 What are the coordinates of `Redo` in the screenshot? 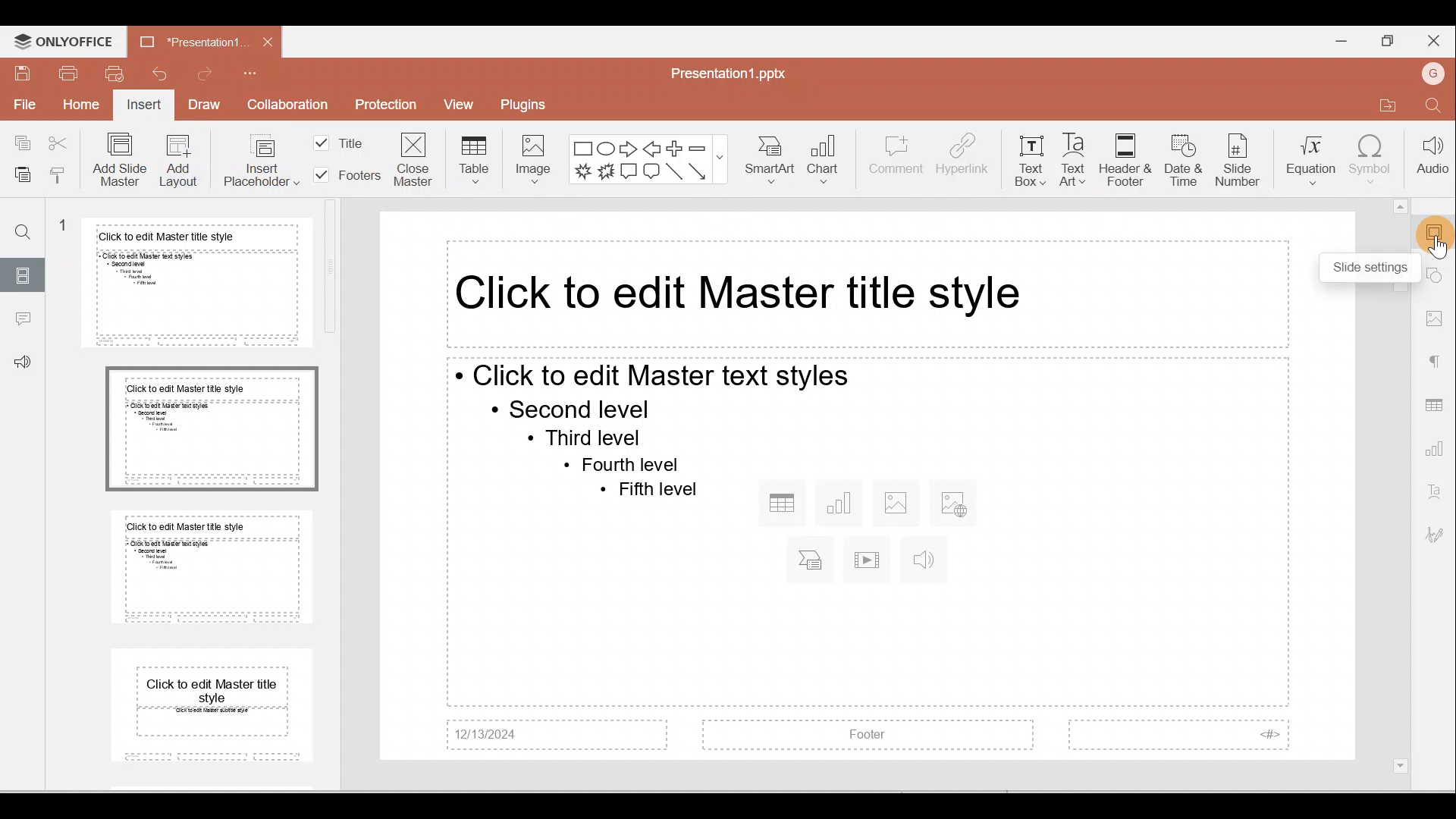 It's located at (209, 73).